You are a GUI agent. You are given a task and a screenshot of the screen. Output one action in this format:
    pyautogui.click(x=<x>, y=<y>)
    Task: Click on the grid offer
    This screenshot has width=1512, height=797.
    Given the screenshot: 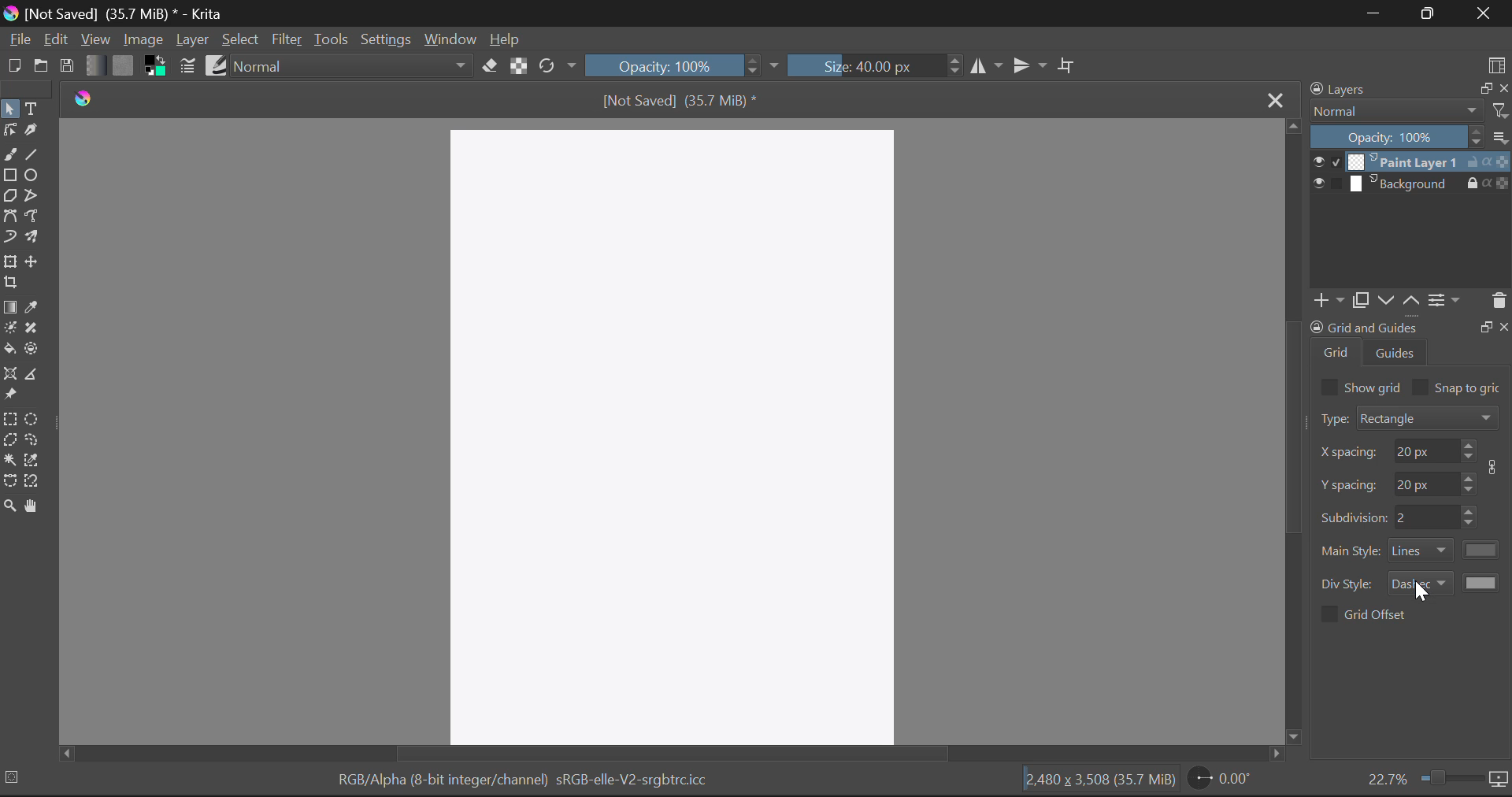 What is the action you would take?
    pyautogui.click(x=1377, y=614)
    